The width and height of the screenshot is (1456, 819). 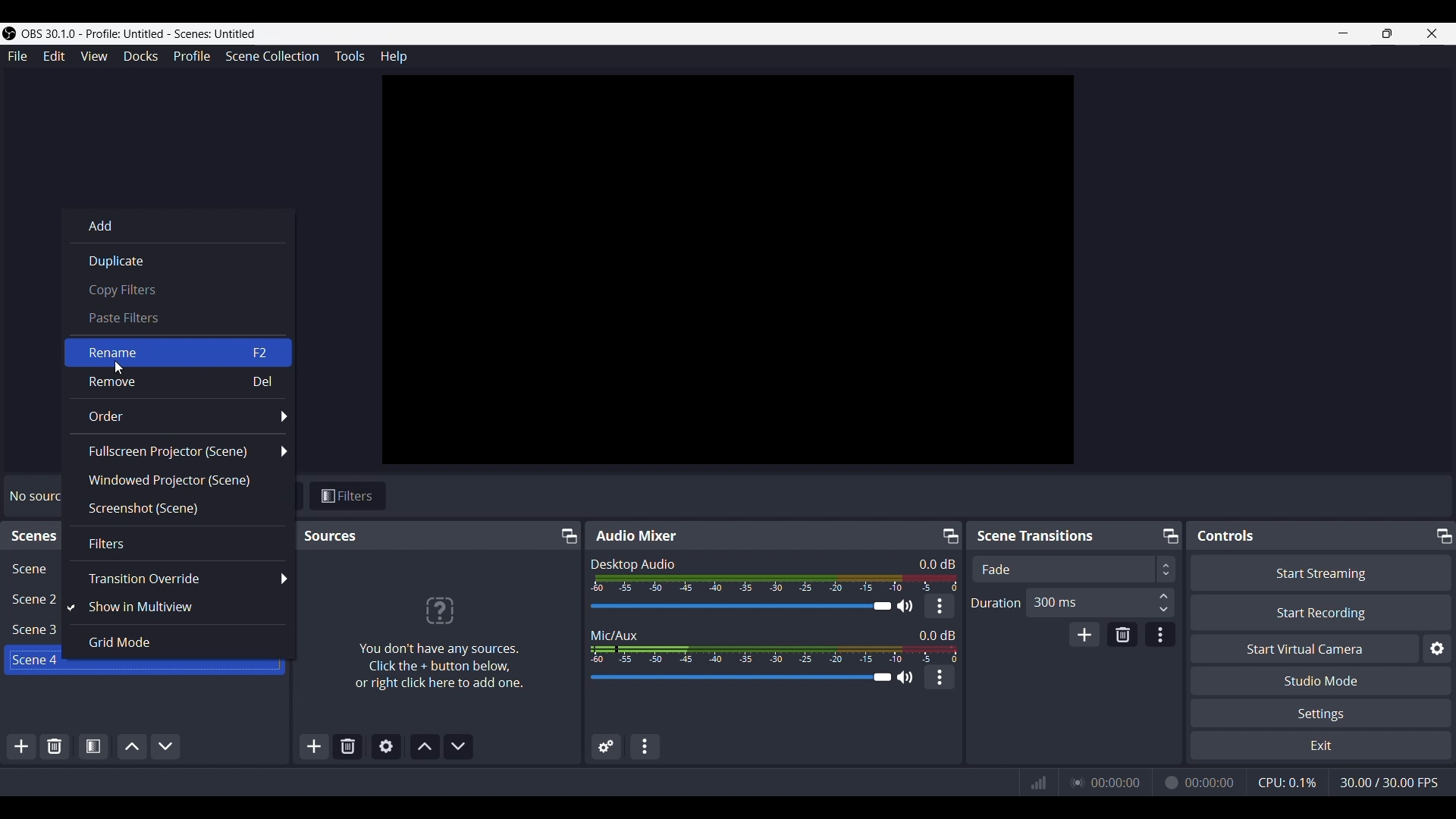 What do you see at coordinates (92, 745) in the screenshot?
I see `Open scene filters` at bounding box center [92, 745].